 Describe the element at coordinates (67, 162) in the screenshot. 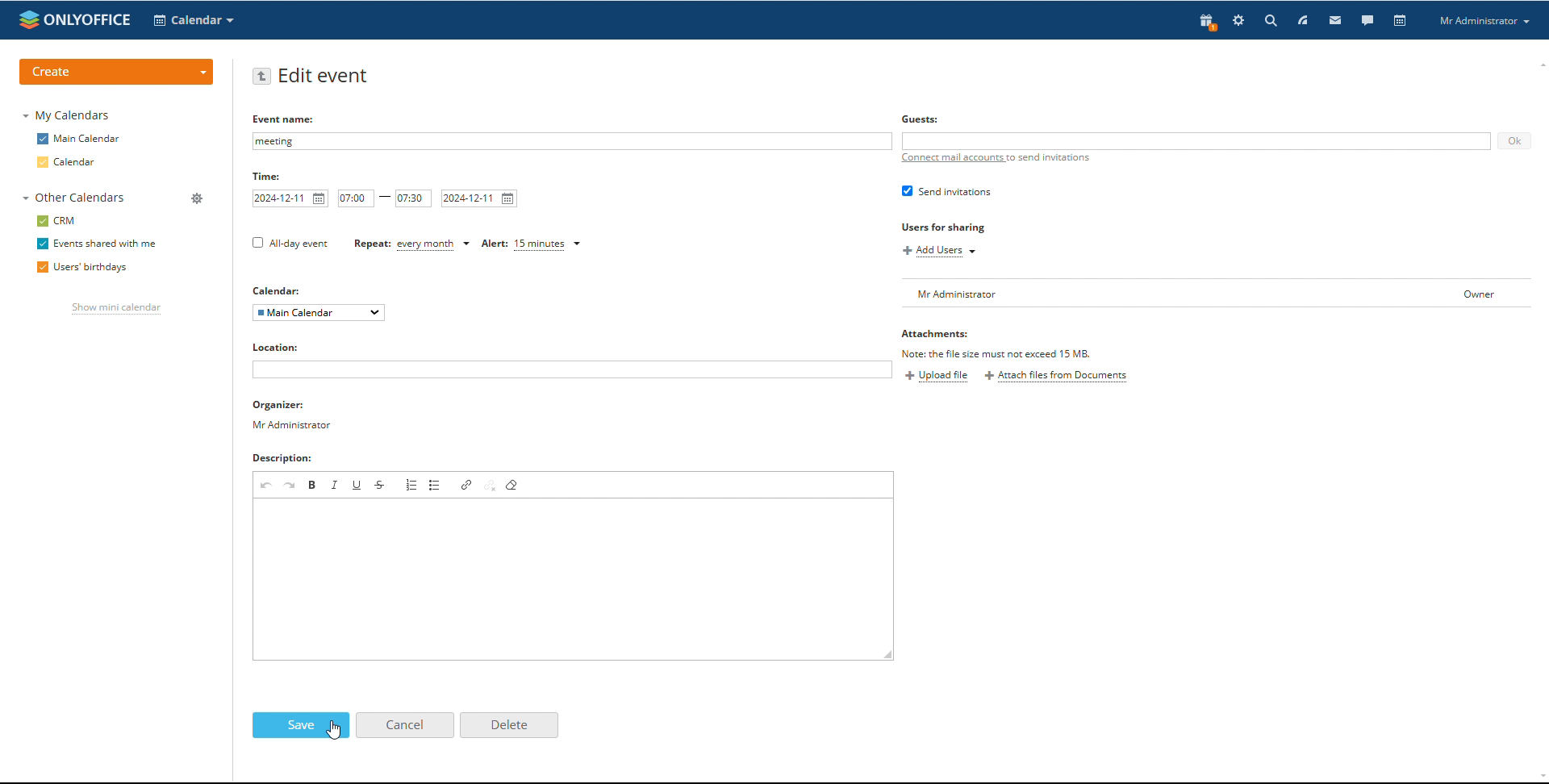

I see `calendar` at that location.